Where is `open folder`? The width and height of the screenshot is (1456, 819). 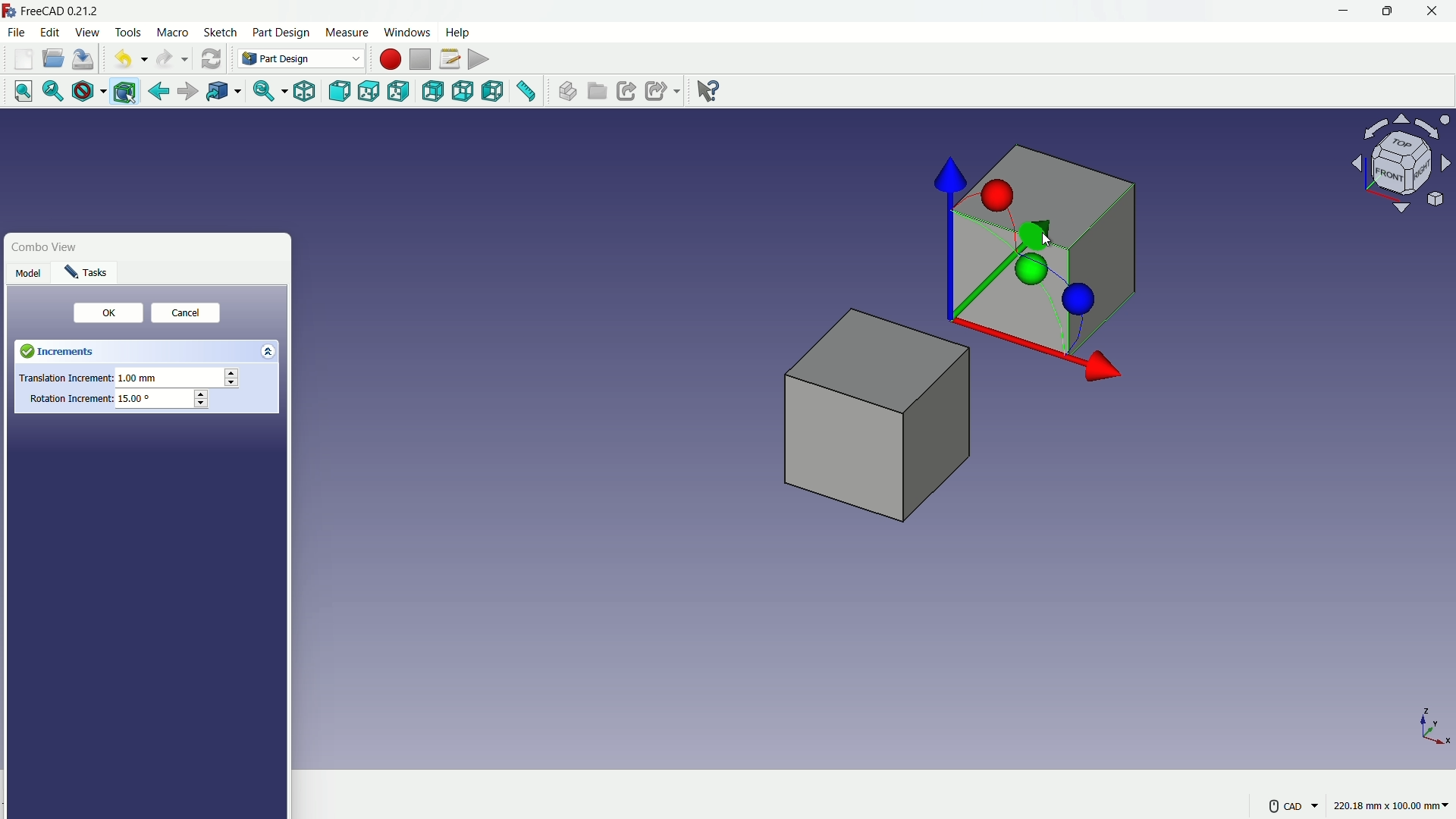 open folder is located at coordinates (53, 59).